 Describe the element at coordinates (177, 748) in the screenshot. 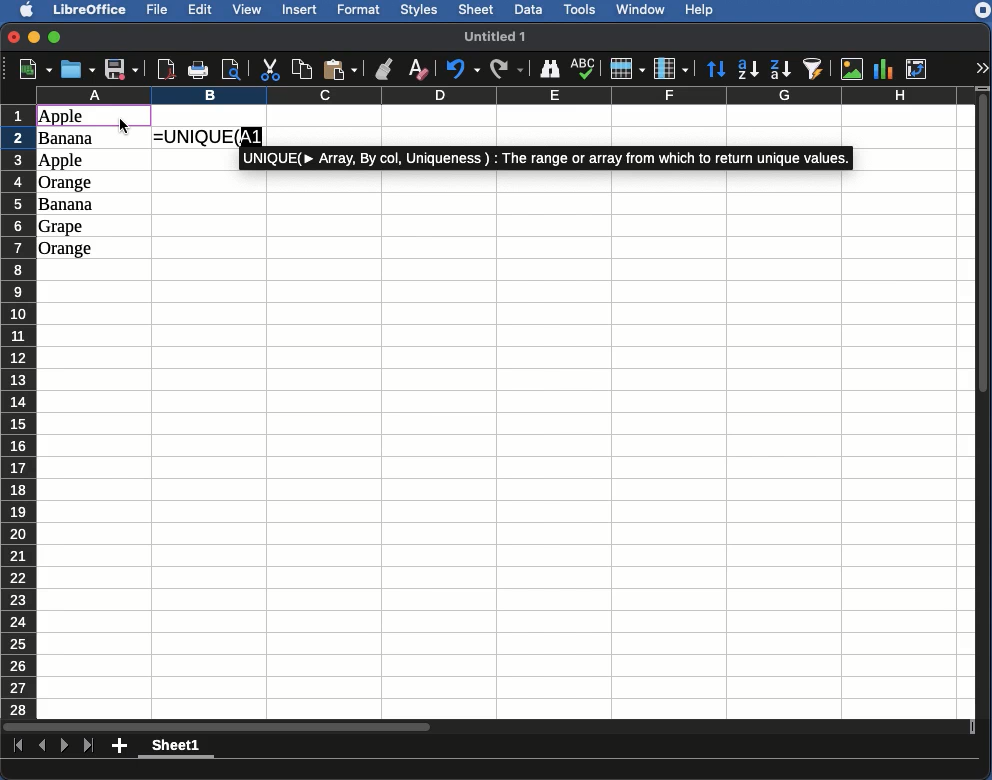

I see `Sheet1` at that location.